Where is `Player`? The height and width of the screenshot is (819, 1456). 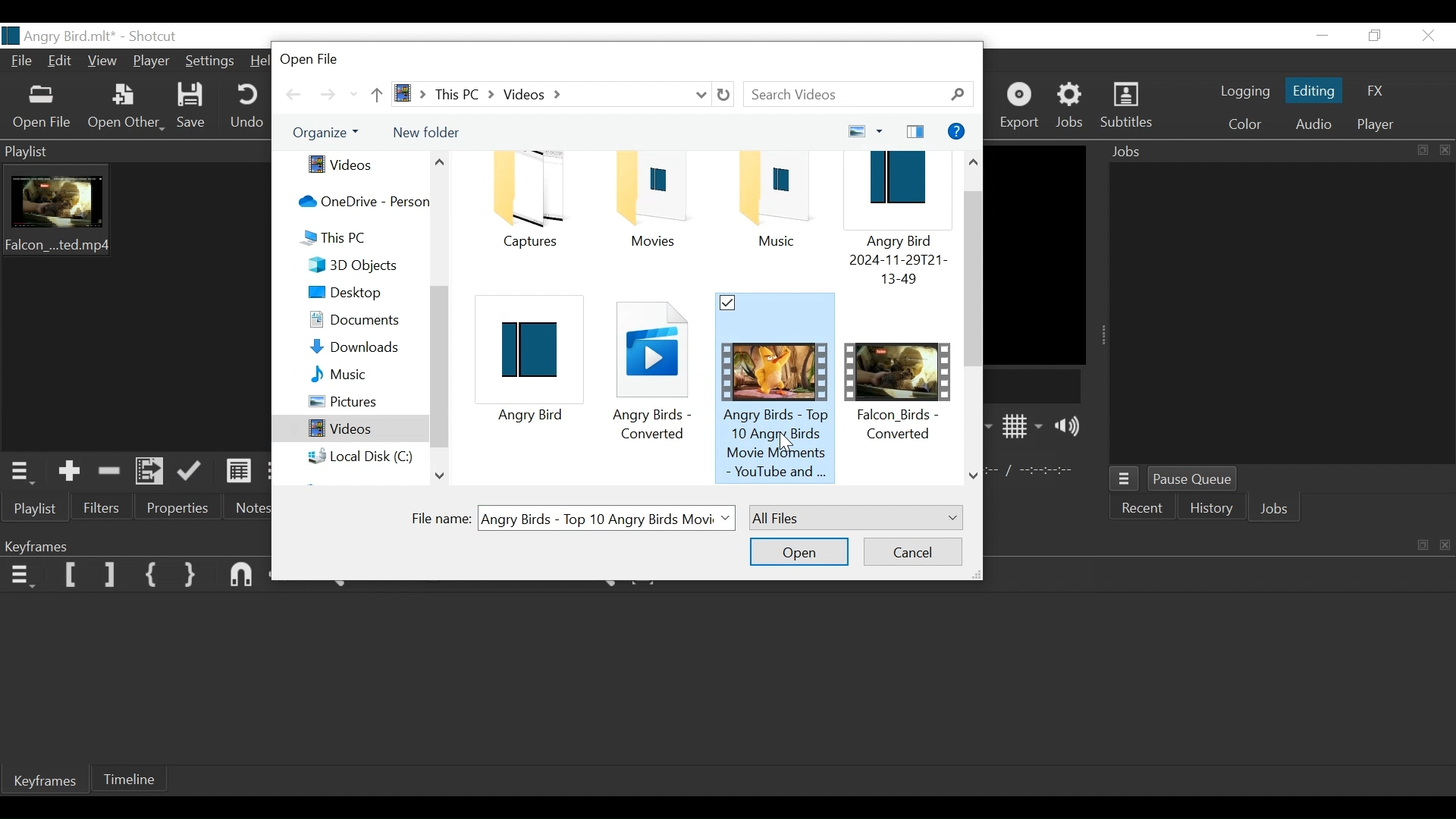 Player is located at coordinates (152, 61).